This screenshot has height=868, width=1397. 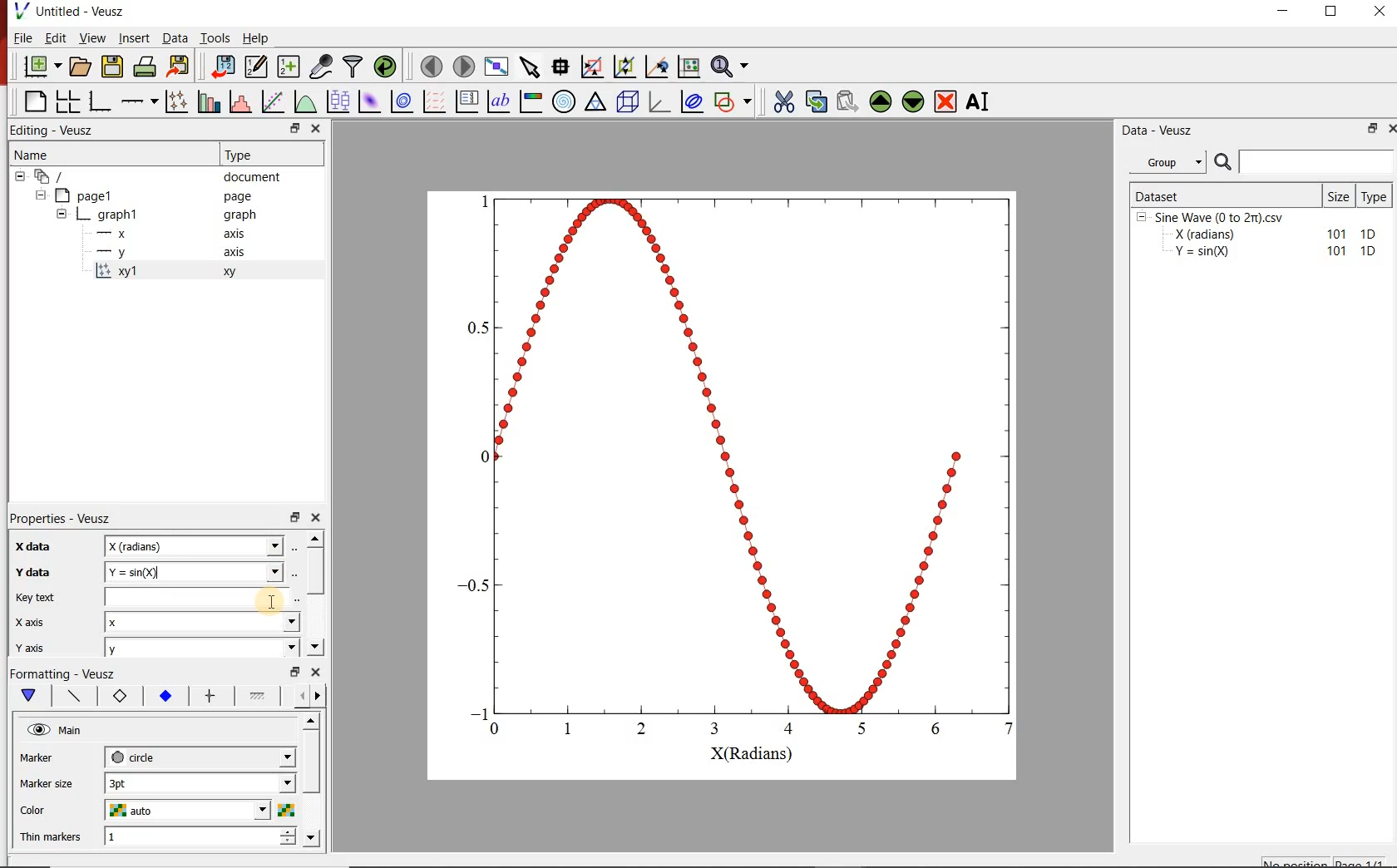 What do you see at coordinates (402, 101) in the screenshot?
I see `plot 2d dataset as contours` at bounding box center [402, 101].